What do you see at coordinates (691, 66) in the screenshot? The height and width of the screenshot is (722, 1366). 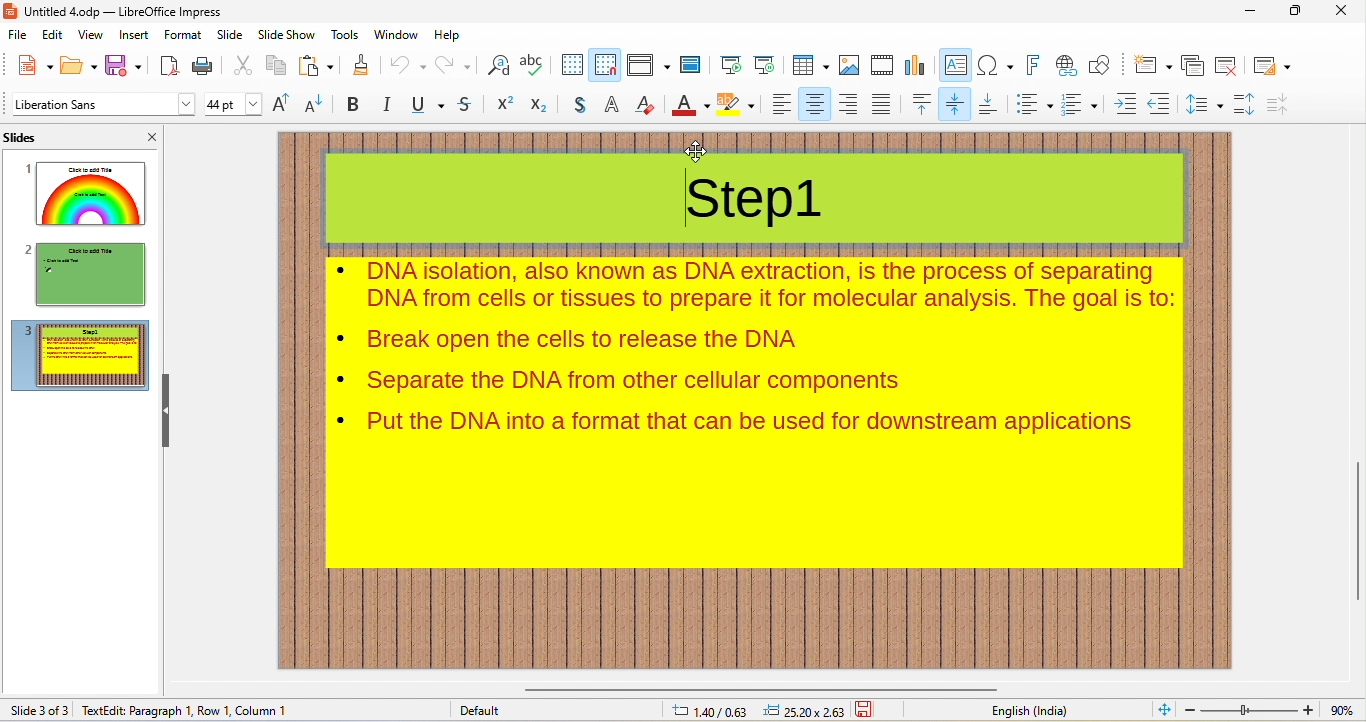 I see `master slide` at bounding box center [691, 66].